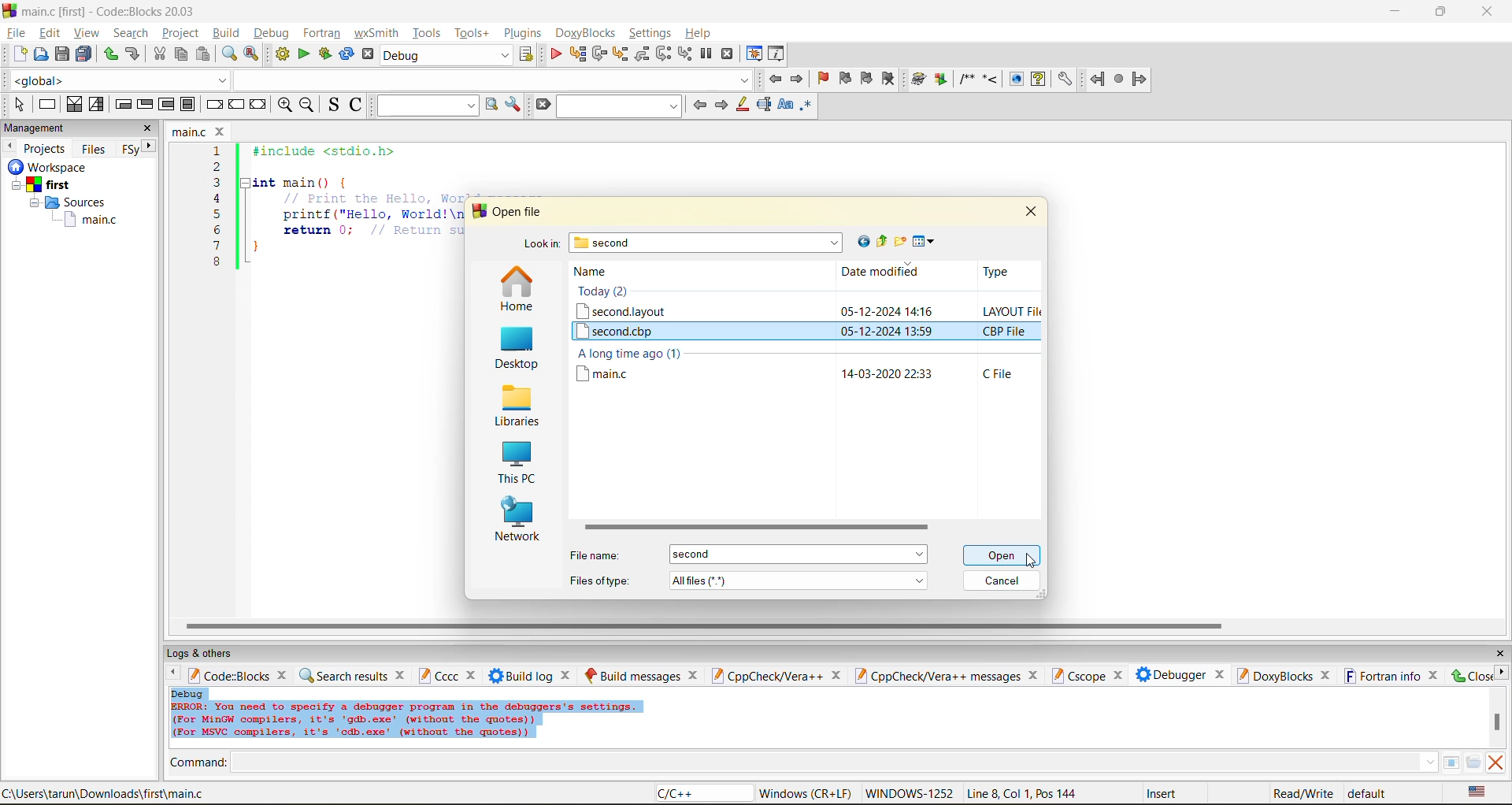 The image size is (1512, 805). Describe the element at coordinates (784, 106) in the screenshot. I see `match case` at that location.